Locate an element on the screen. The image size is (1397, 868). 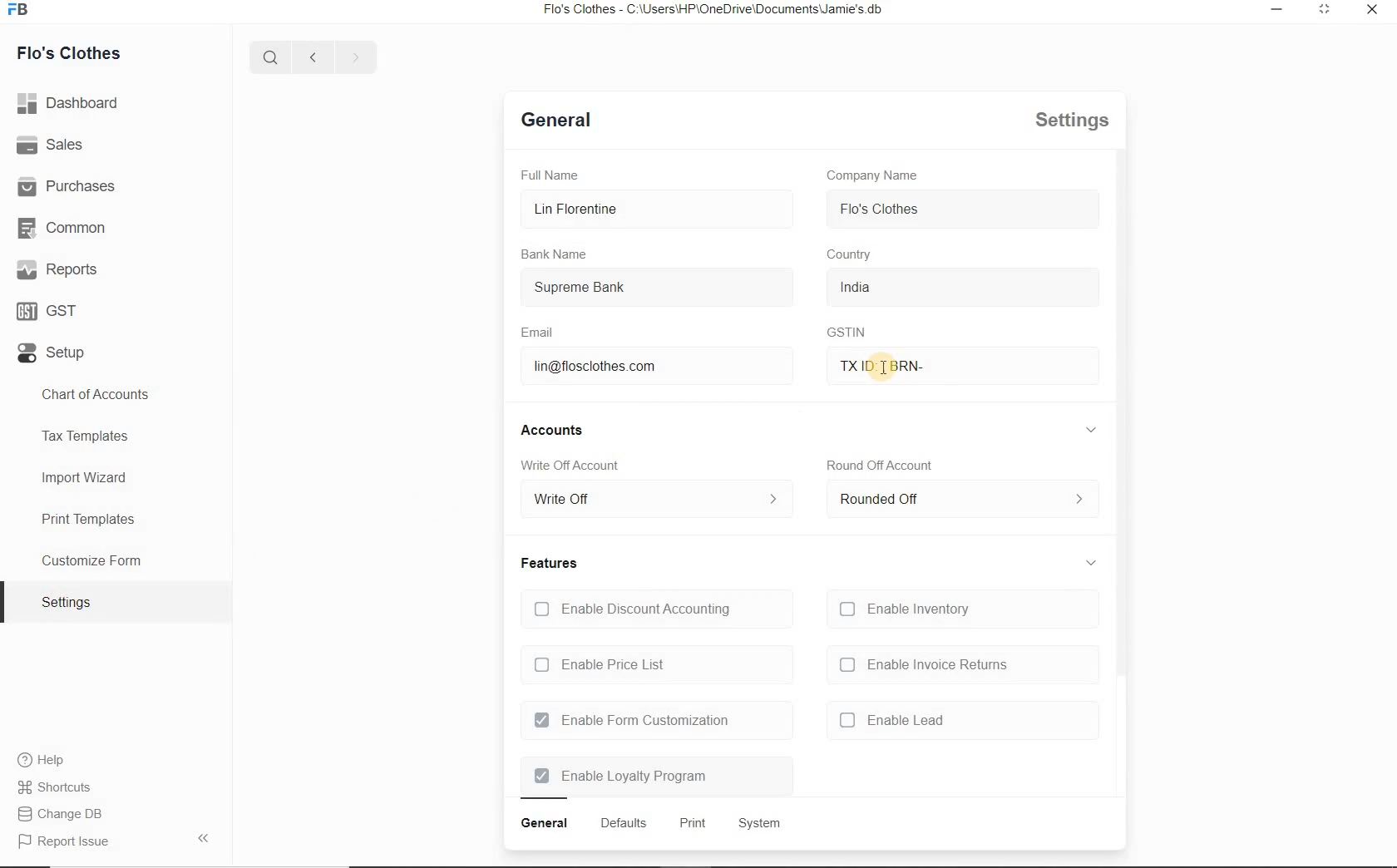
collapse is located at coordinates (1092, 559).